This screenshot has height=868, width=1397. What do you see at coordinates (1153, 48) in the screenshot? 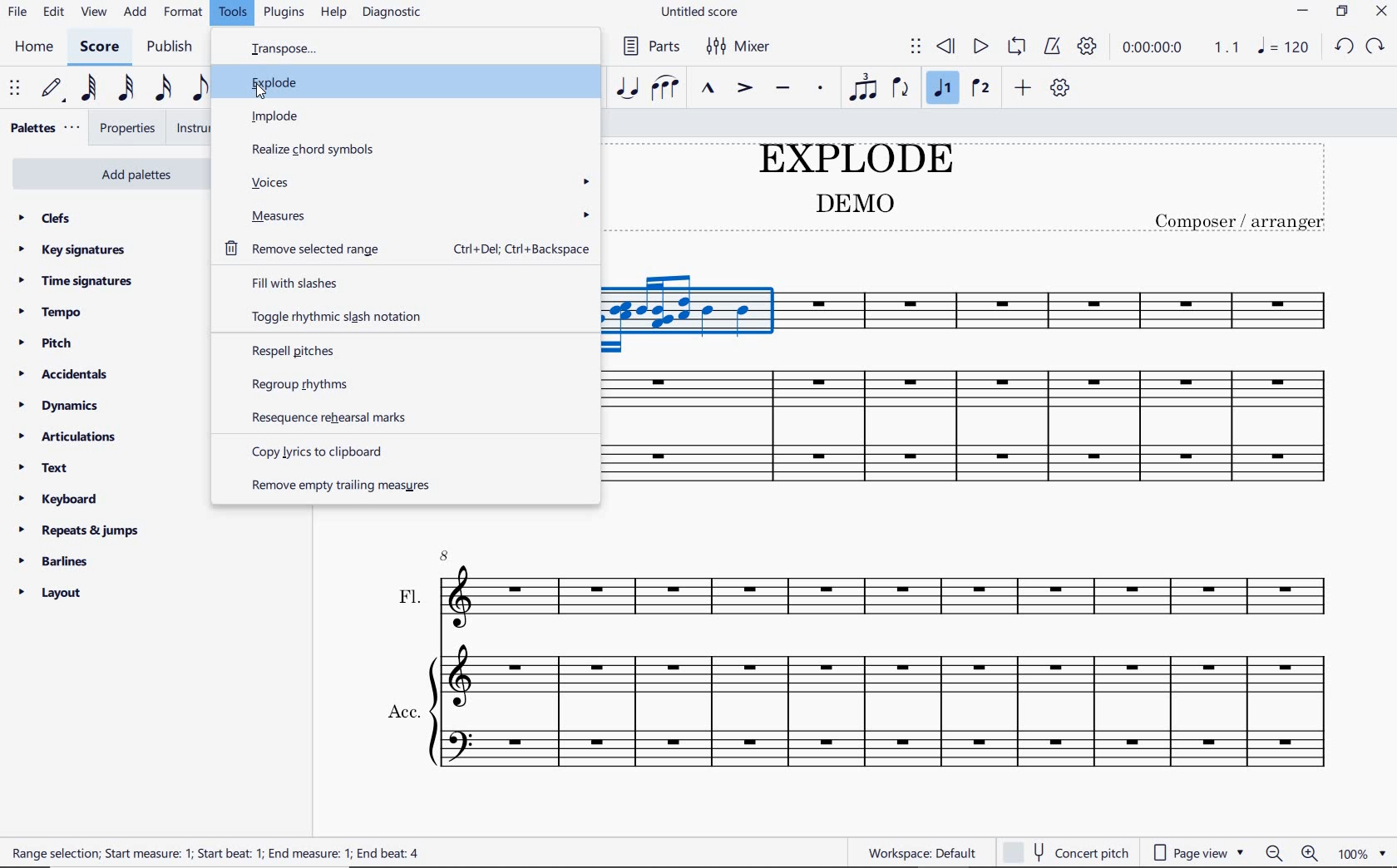
I see `playback time` at bounding box center [1153, 48].